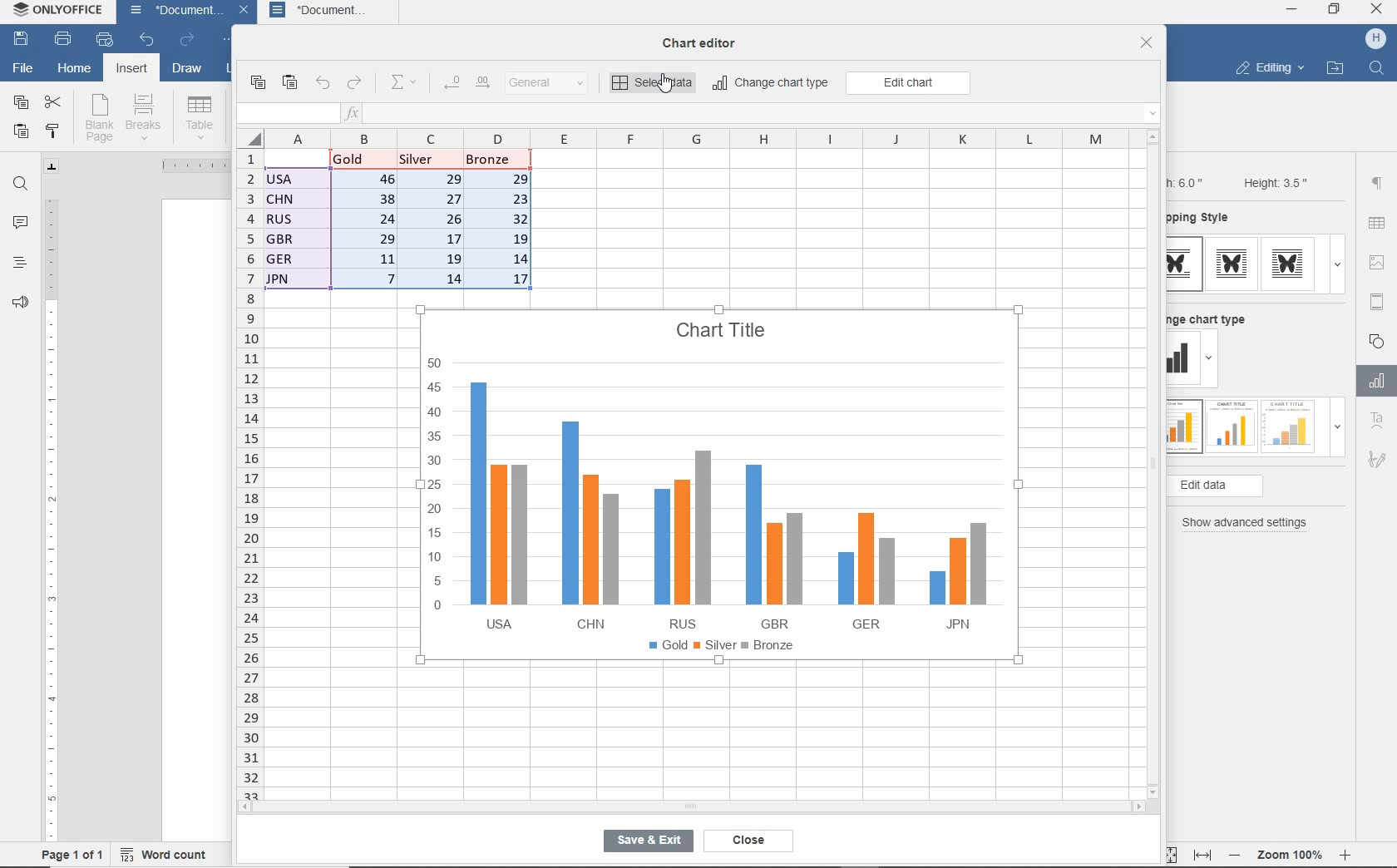  Describe the element at coordinates (1346, 852) in the screenshot. I see `zoom in` at that location.